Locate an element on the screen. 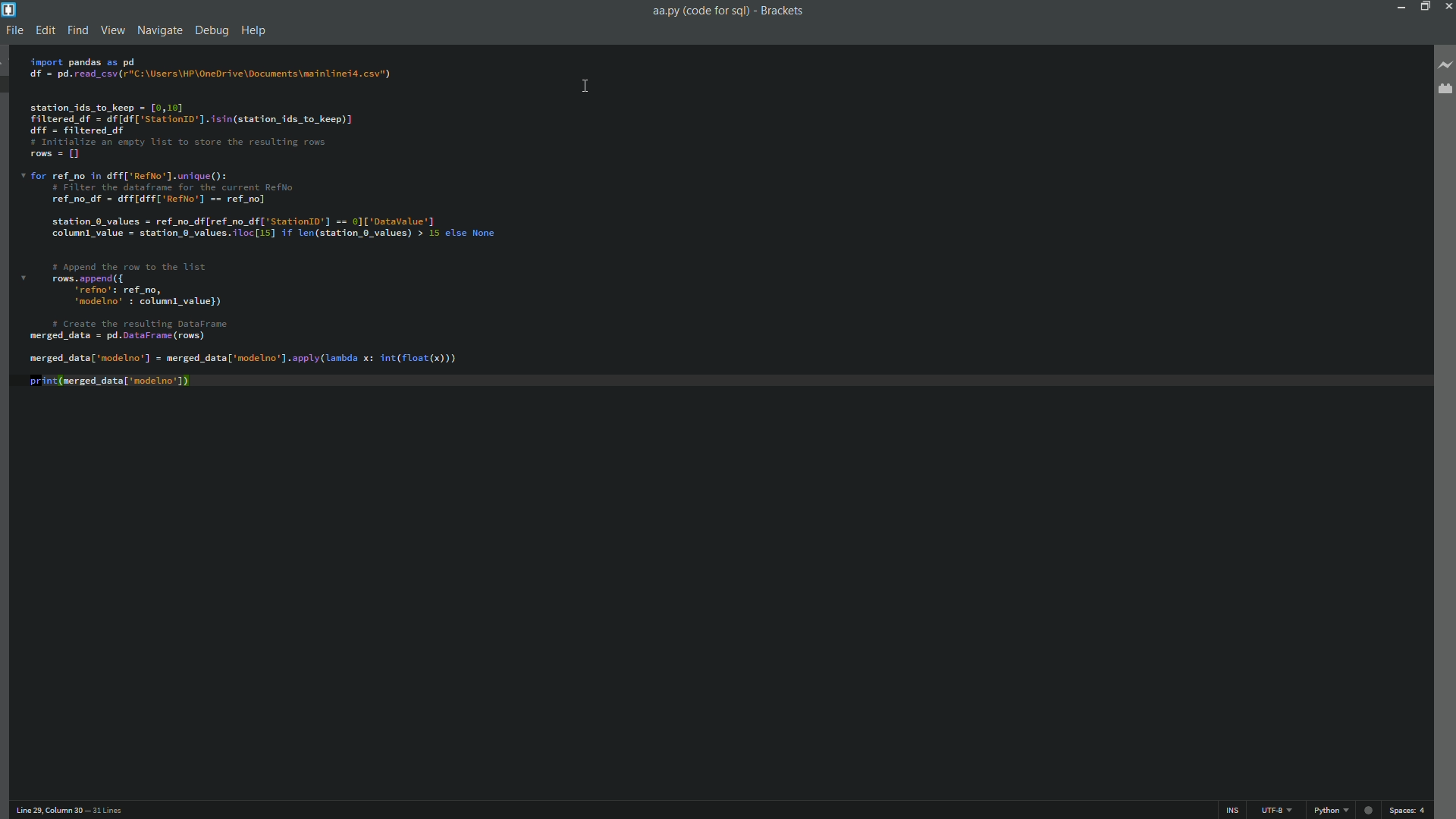 The image size is (1456, 819). live preview button is located at coordinates (1444, 63).